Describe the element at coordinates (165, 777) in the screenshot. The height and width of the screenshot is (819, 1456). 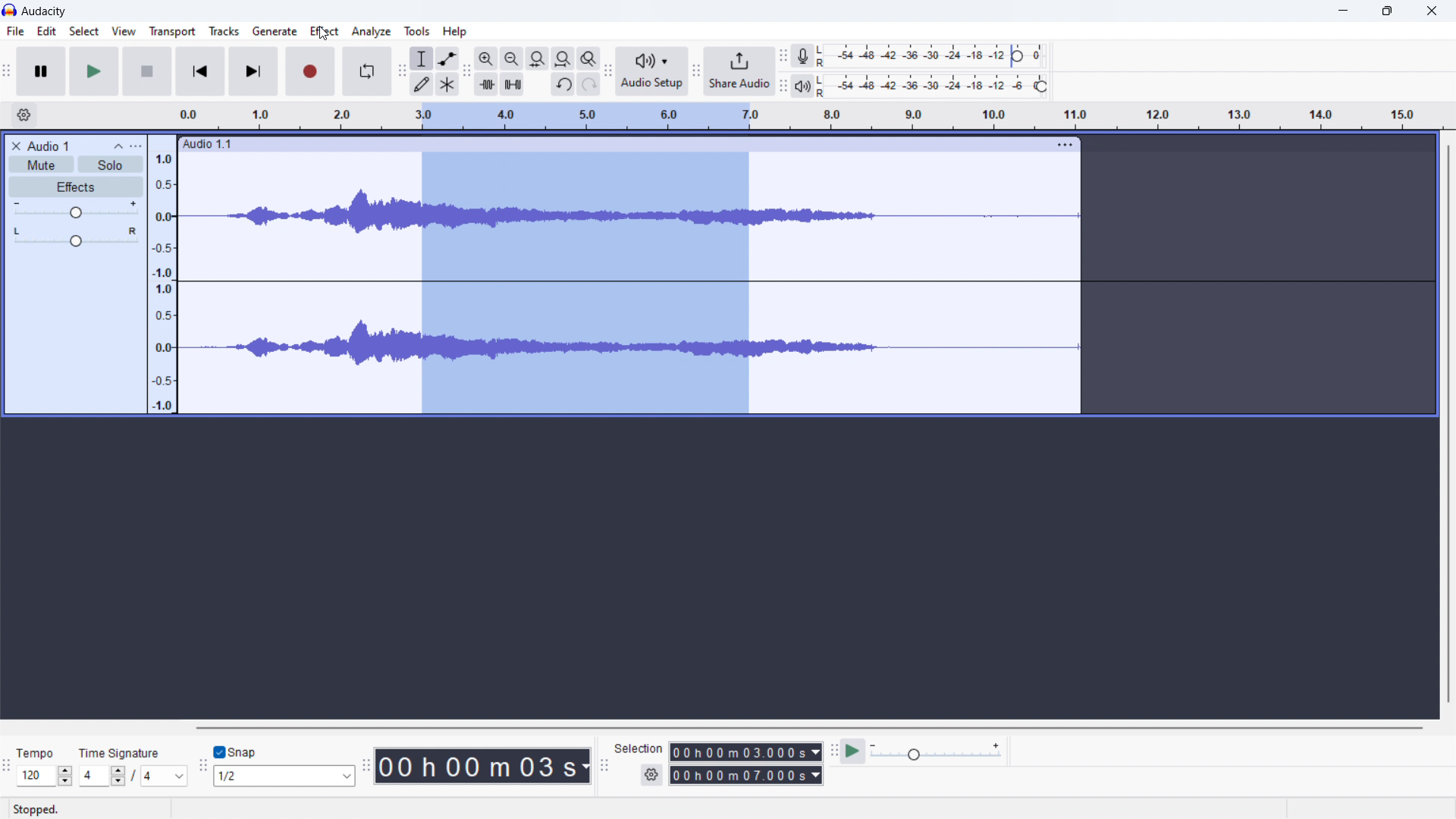
I see `4` at that location.